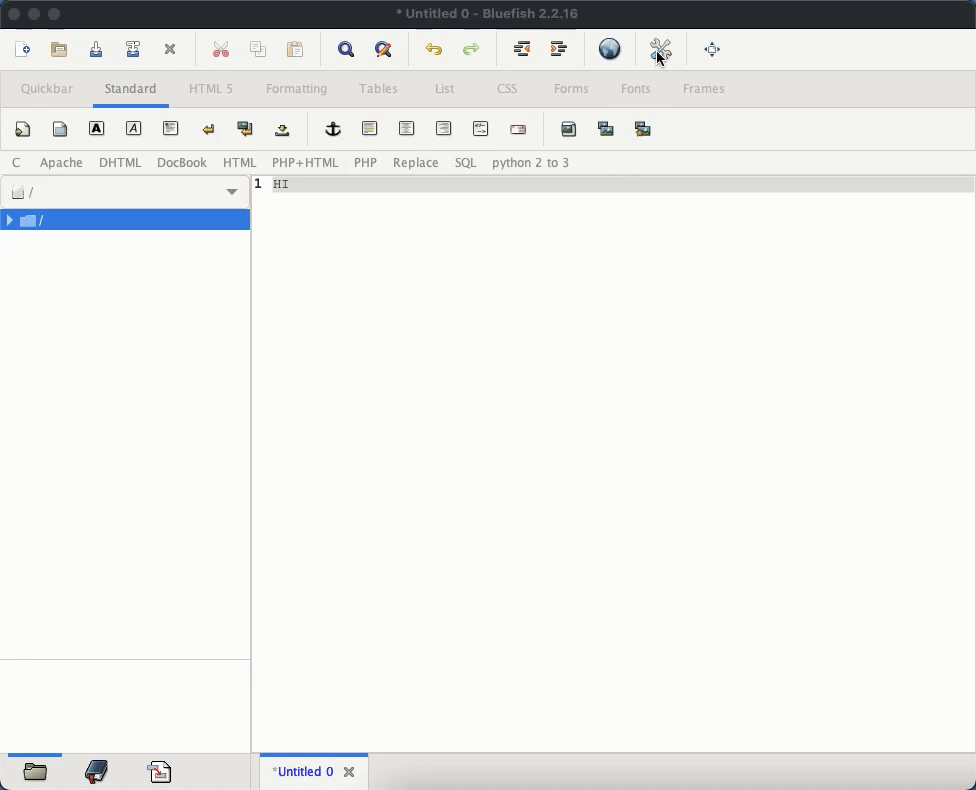 This screenshot has height=790, width=976. Describe the element at coordinates (297, 89) in the screenshot. I see `formatting` at that location.